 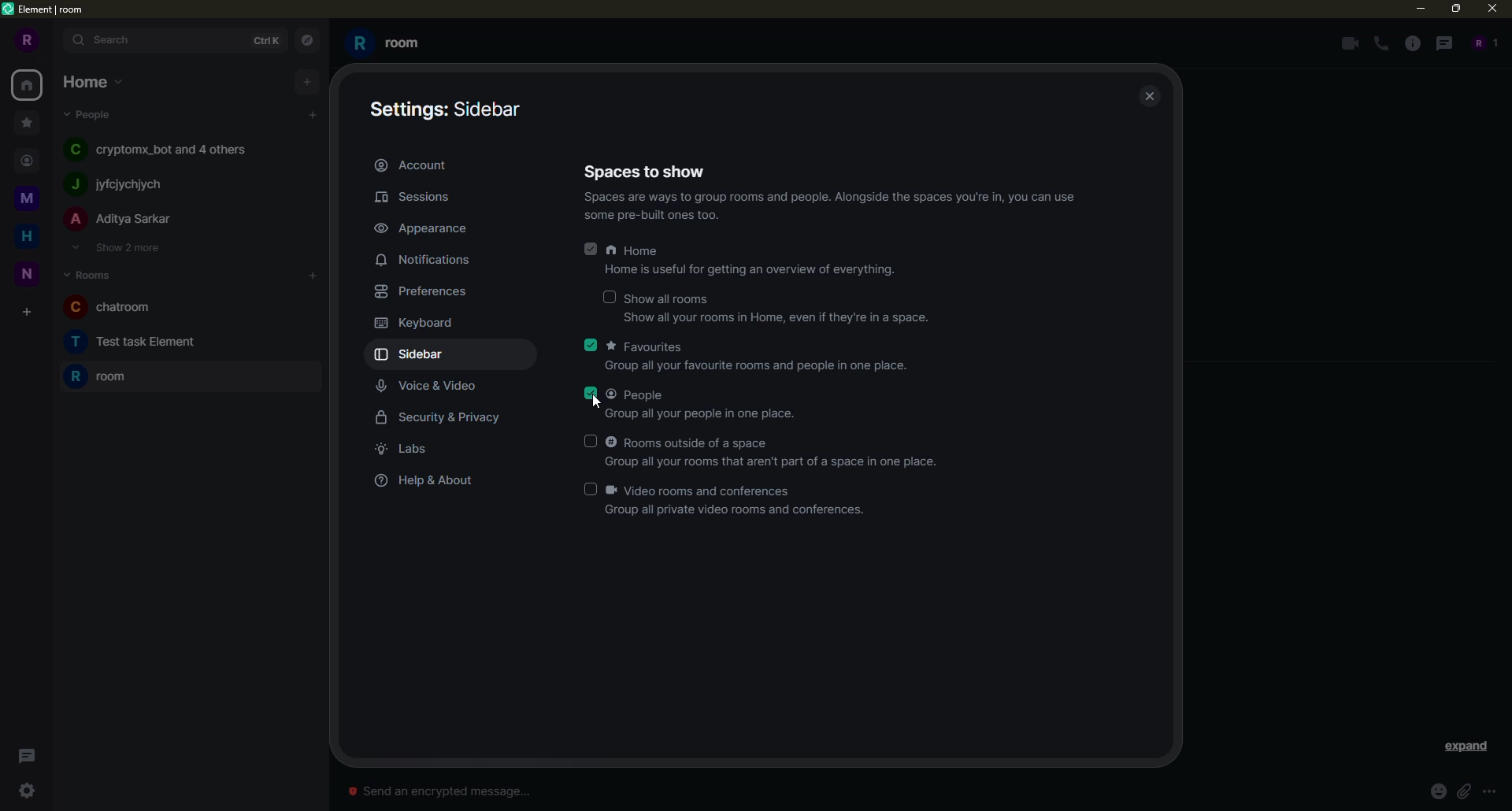 I want to click on notifications, so click(x=428, y=260).